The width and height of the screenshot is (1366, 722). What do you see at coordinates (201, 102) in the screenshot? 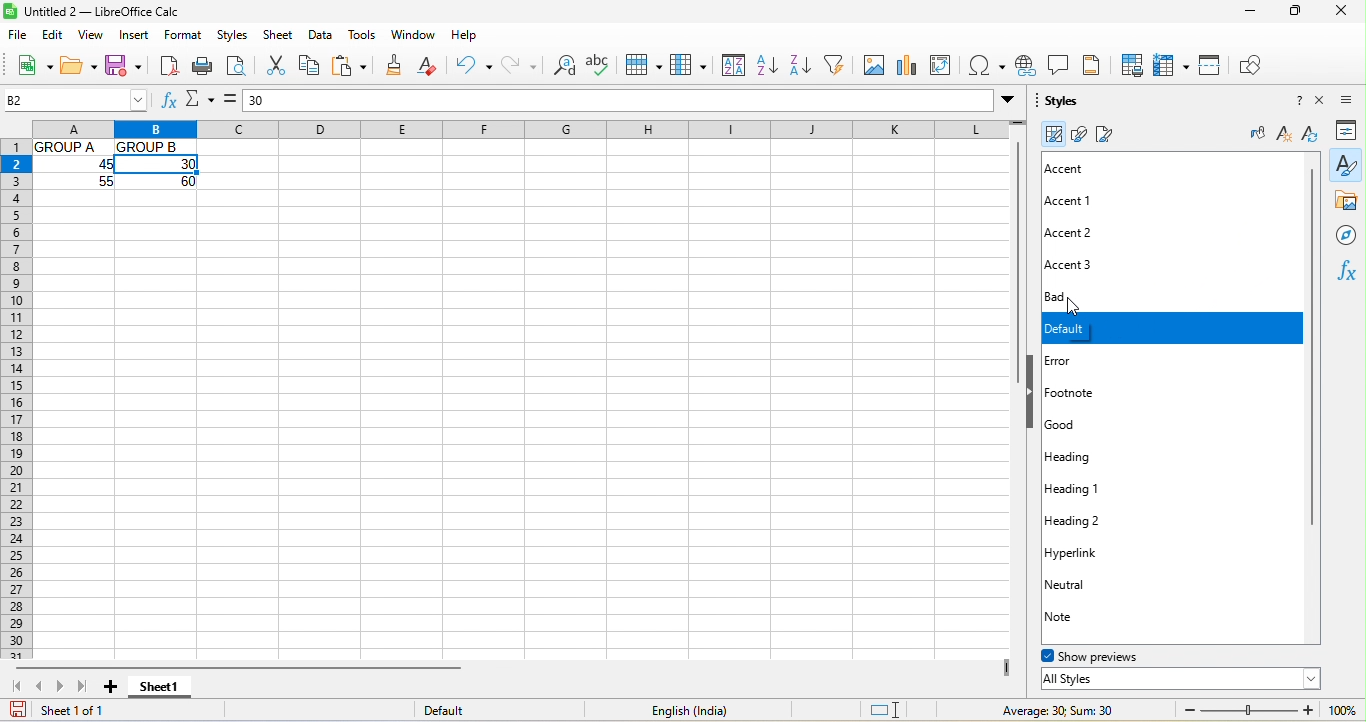
I see `select function` at bounding box center [201, 102].